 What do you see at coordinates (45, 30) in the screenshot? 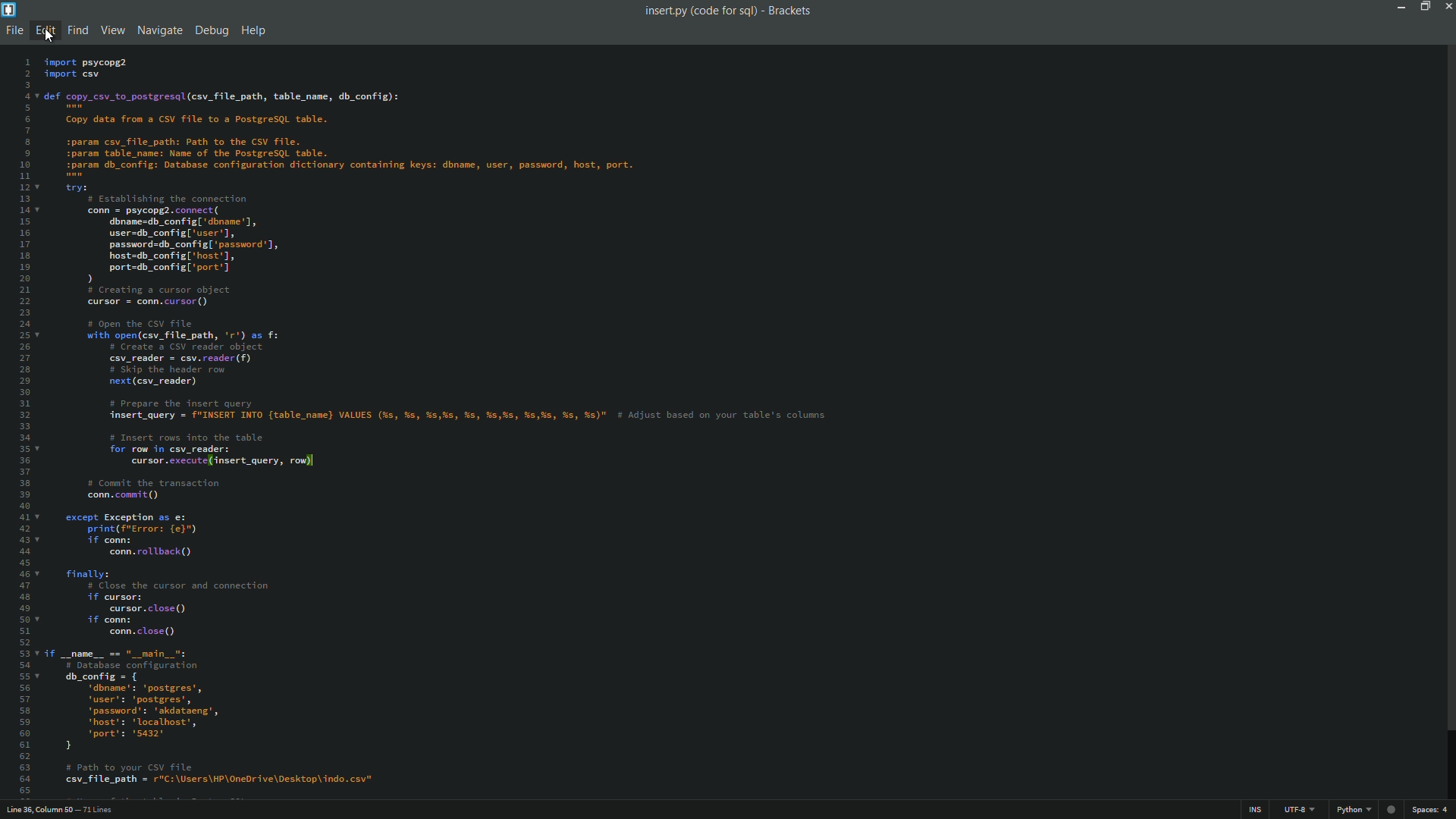
I see `edit menu` at bounding box center [45, 30].